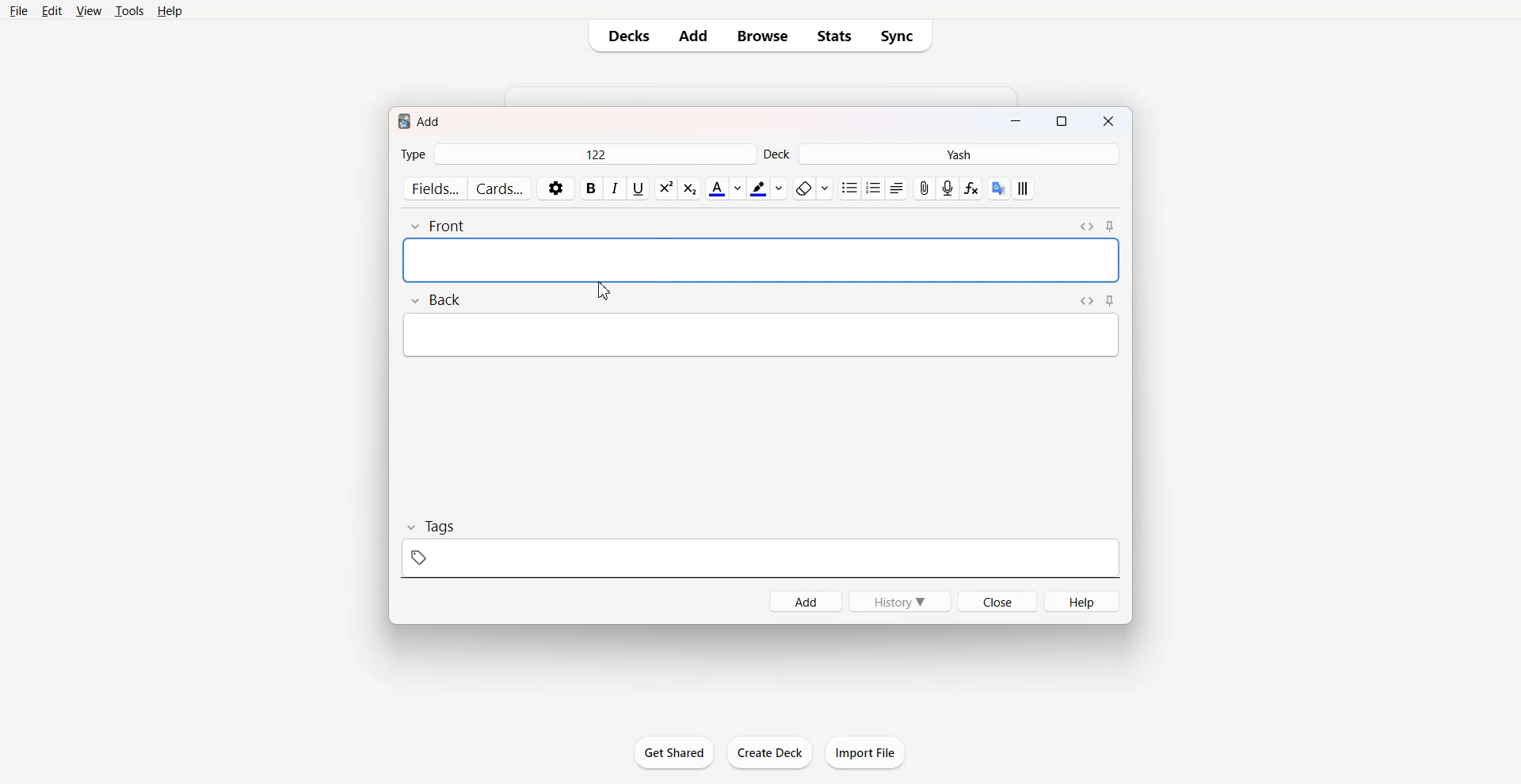 This screenshot has height=784, width=1521. Describe the element at coordinates (866, 752) in the screenshot. I see `Import File` at that location.